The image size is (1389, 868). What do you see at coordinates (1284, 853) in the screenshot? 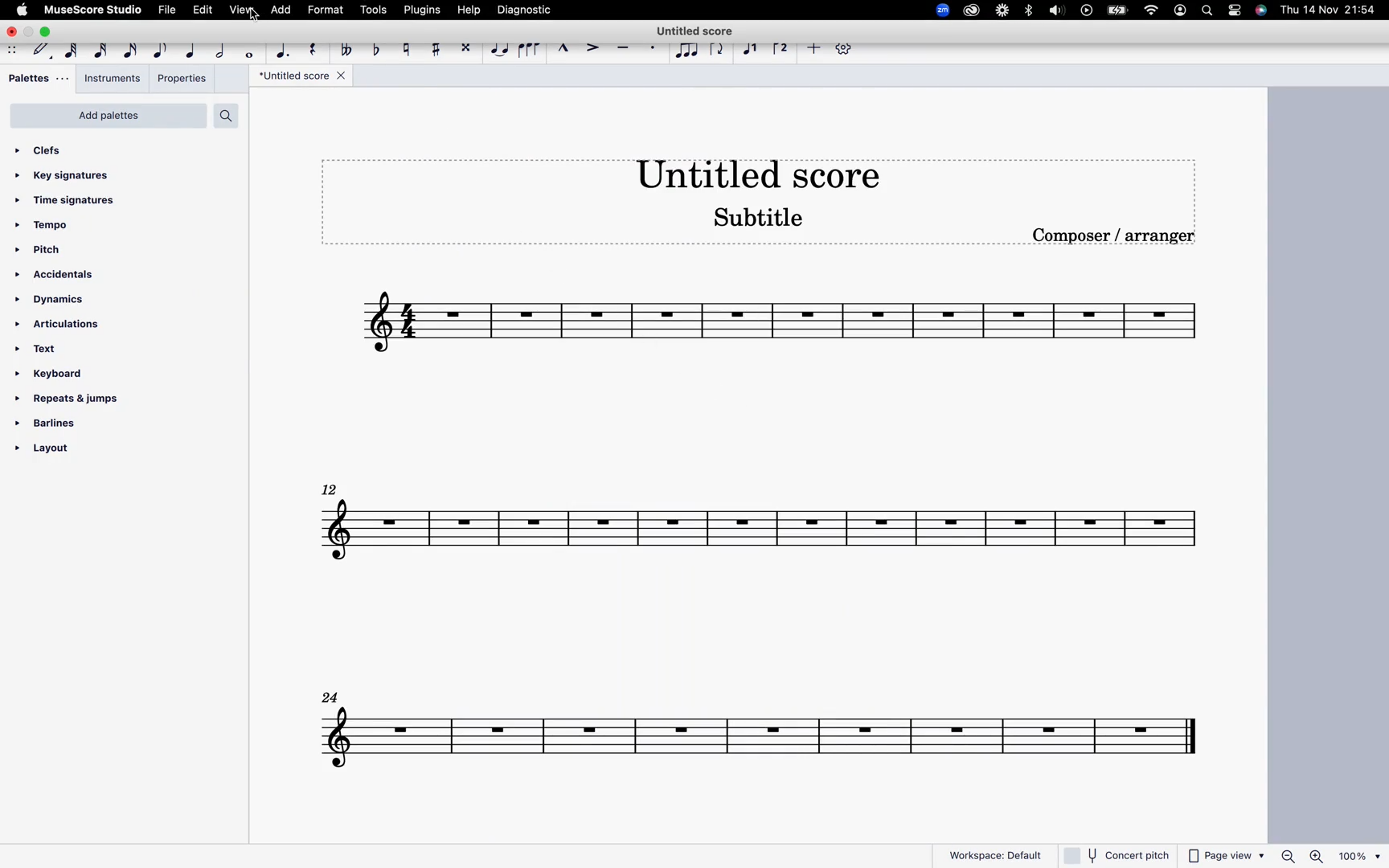
I see `zoom out` at bounding box center [1284, 853].